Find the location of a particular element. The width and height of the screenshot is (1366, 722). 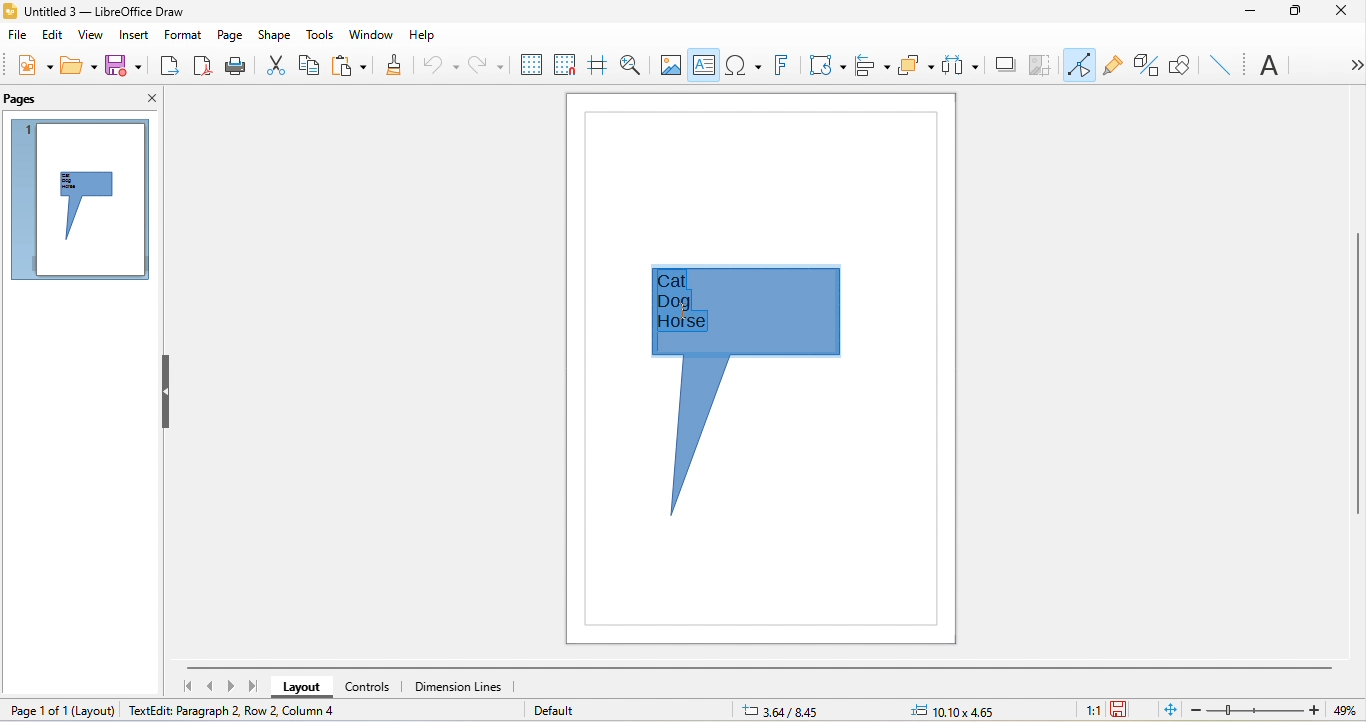

controls is located at coordinates (377, 686).